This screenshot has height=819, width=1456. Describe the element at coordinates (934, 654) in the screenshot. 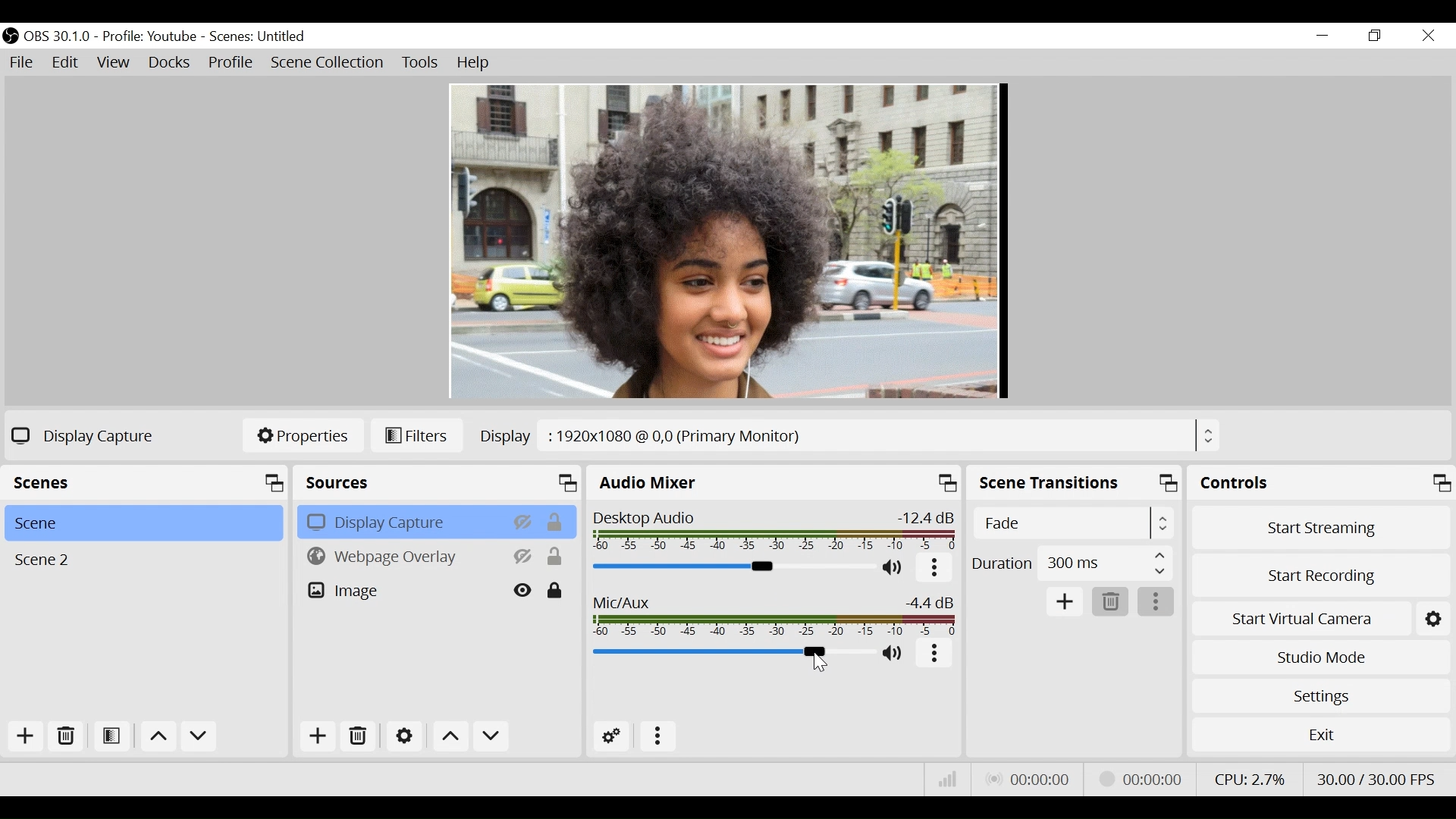

I see `more options` at that location.